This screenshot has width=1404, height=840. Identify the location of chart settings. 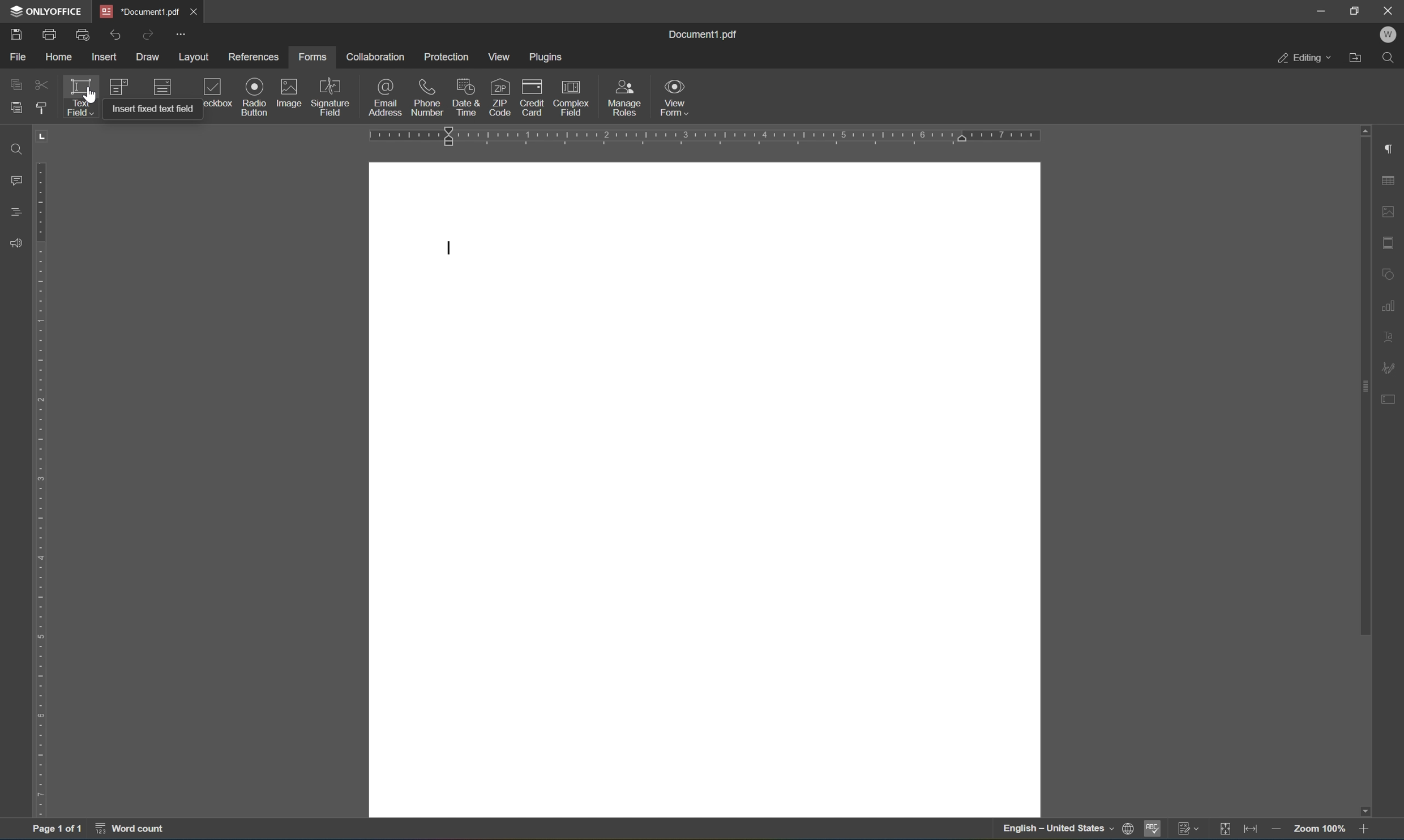
(1389, 307).